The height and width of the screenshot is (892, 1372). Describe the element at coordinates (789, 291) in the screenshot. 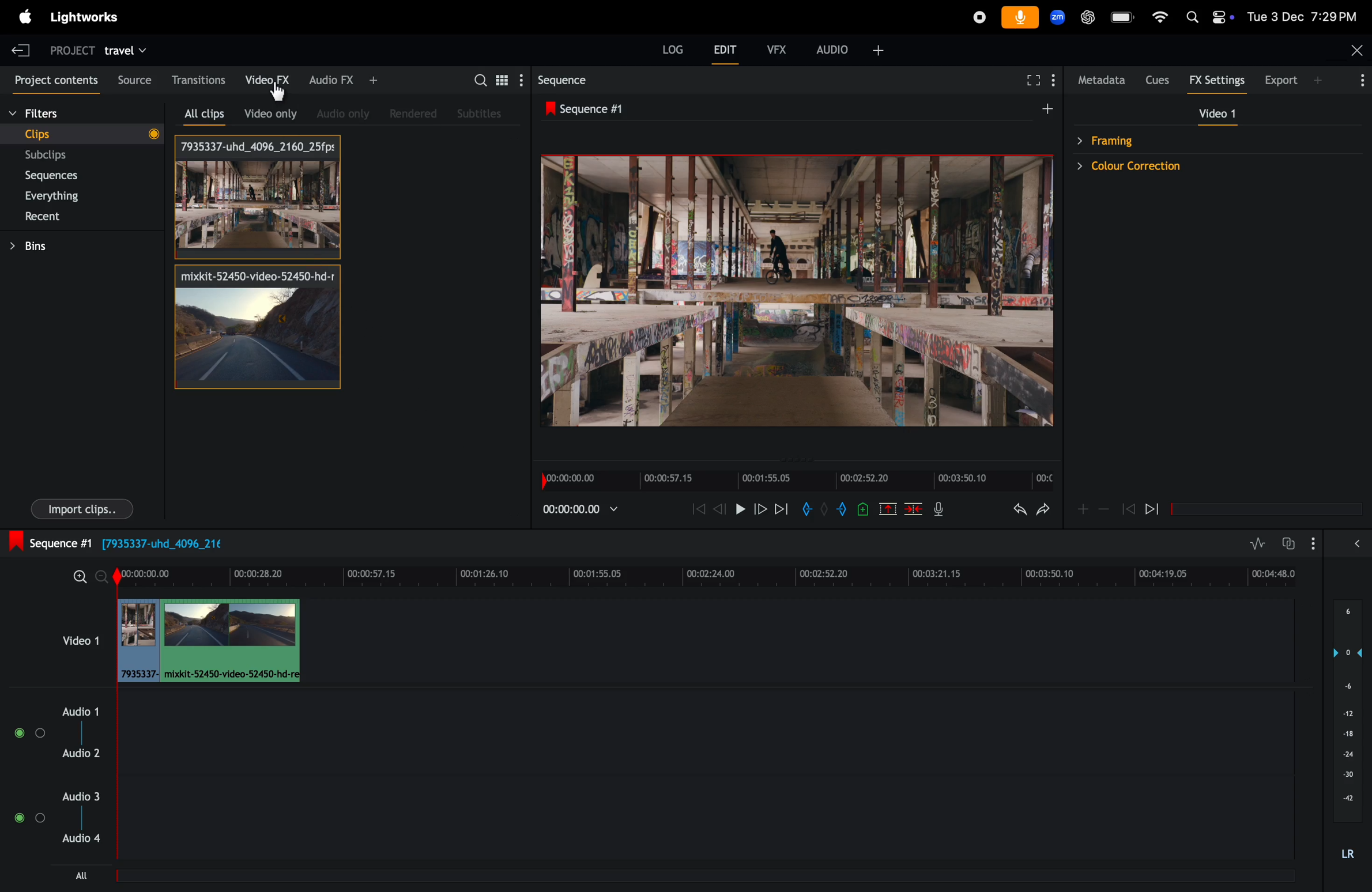

I see `out put frame` at that location.